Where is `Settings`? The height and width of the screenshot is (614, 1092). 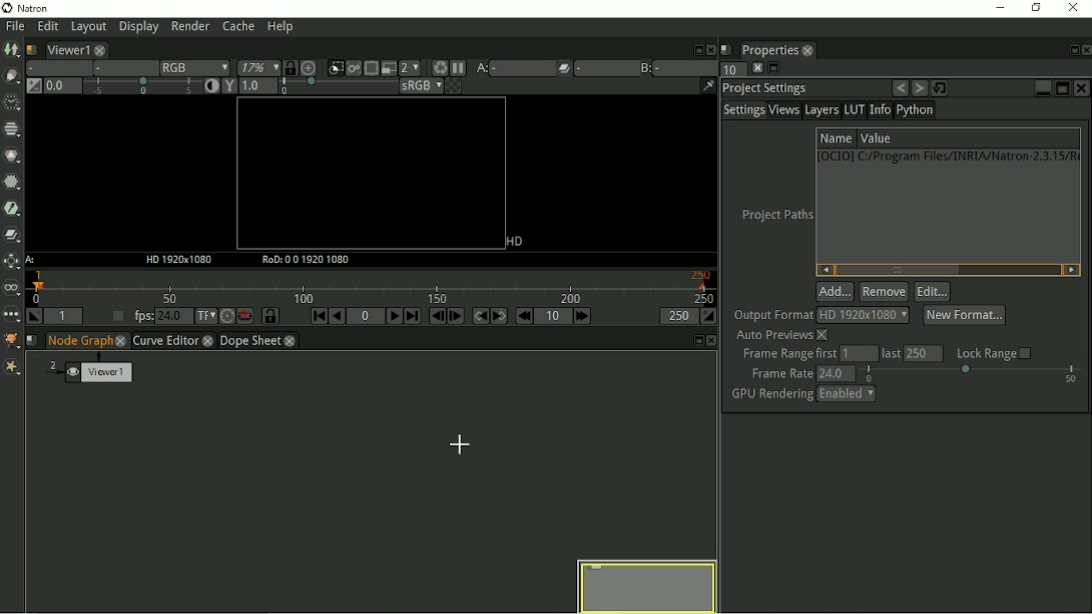 Settings is located at coordinates (743, 111).